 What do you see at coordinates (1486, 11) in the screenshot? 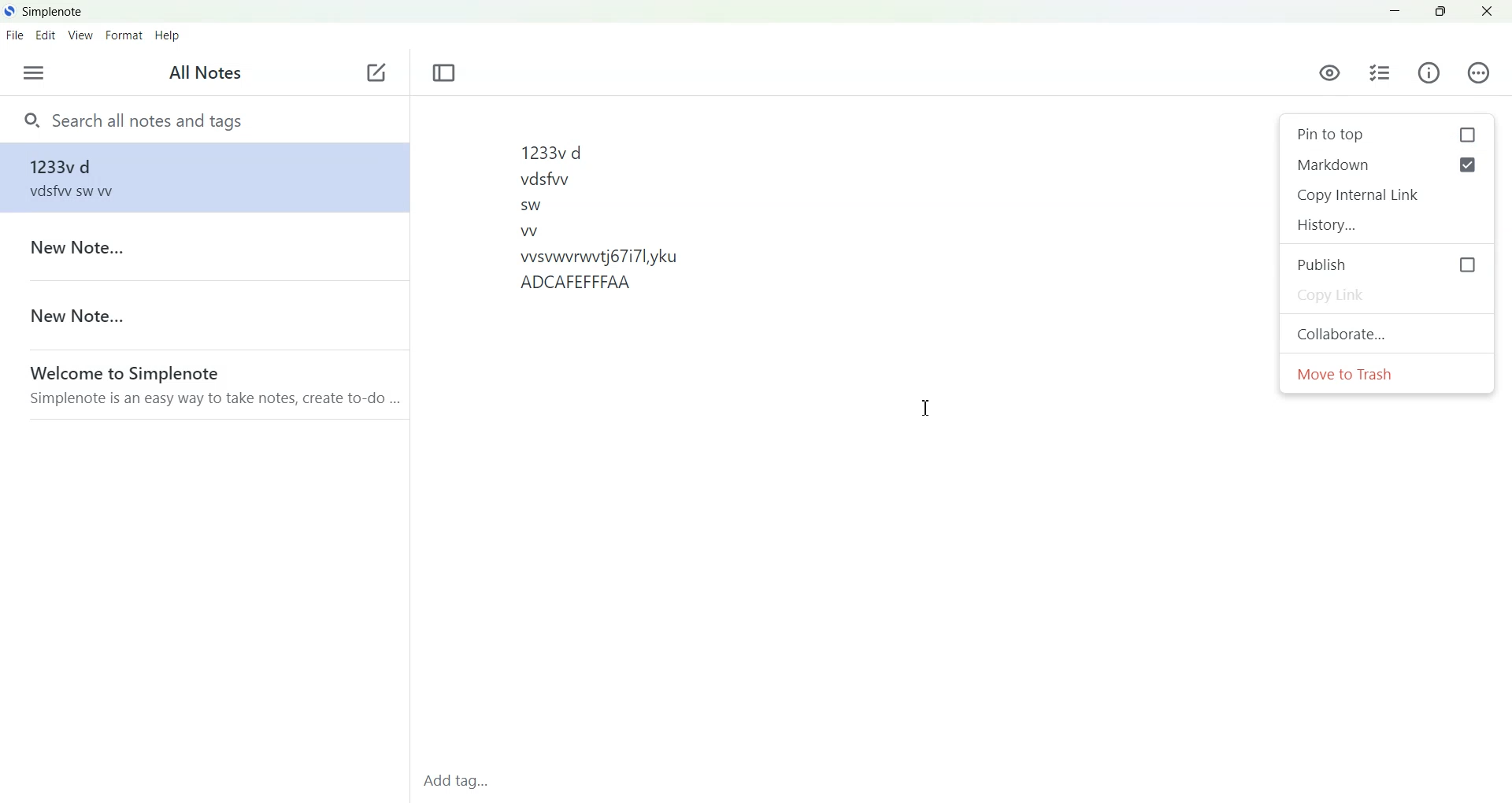
I see `Close` at bounding box center [1486, 11].